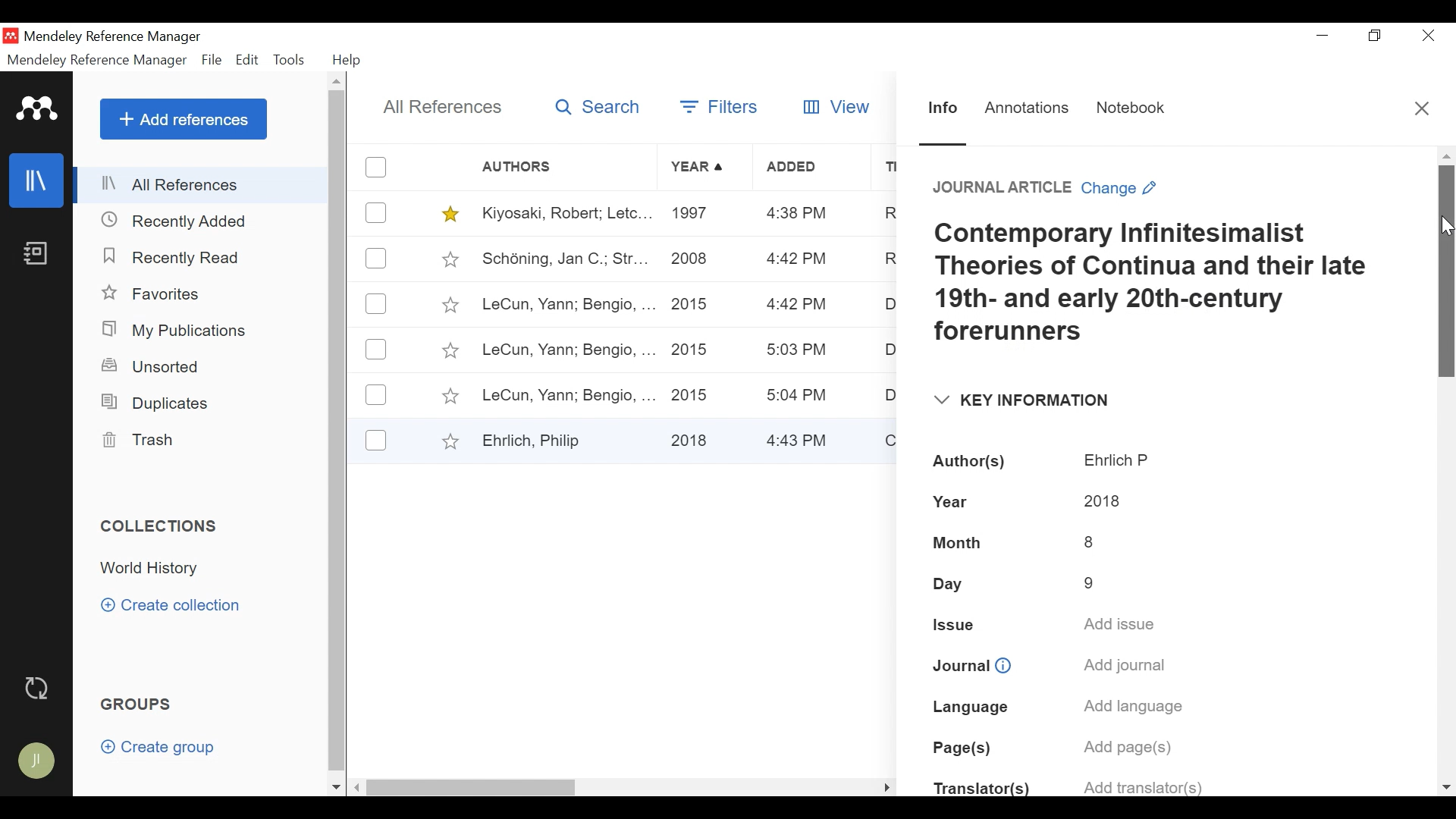 This screenshot has height=819, width=1456. I want to click on 9, so click(1090, 578).